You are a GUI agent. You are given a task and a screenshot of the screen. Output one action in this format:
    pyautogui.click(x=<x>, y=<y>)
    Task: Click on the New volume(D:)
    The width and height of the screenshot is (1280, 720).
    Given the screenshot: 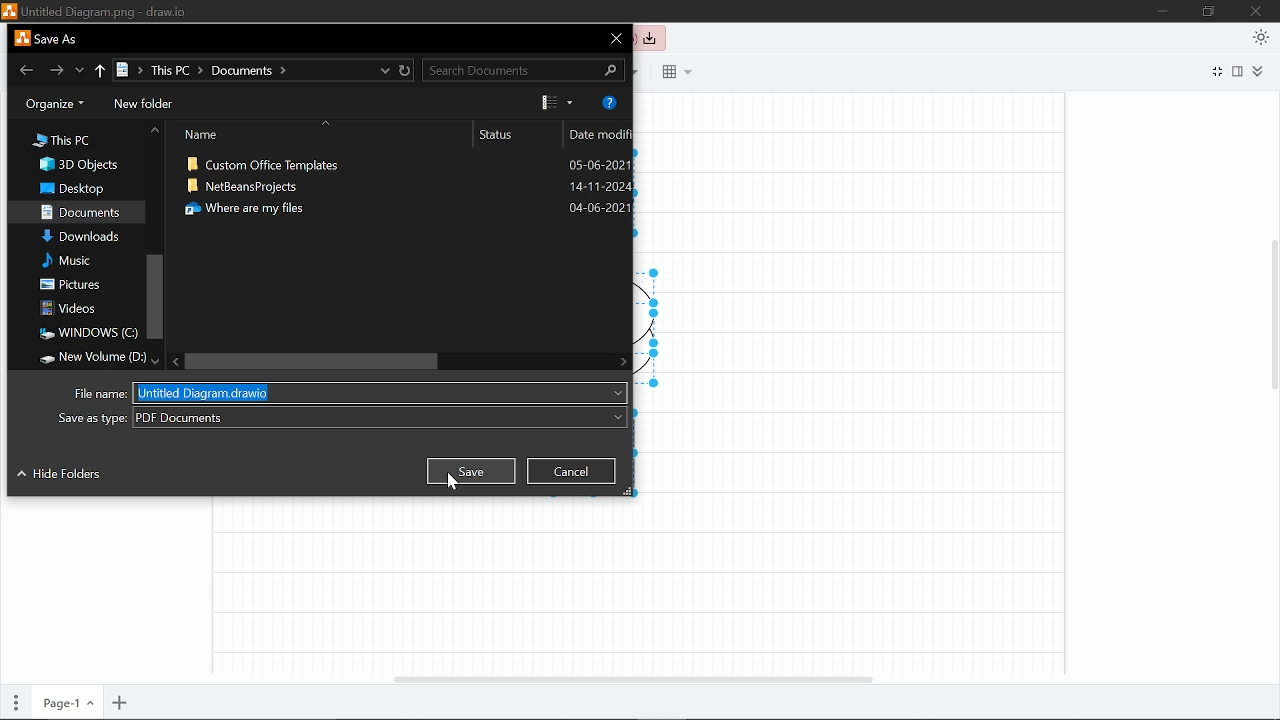 What is the action you would take?
    pyautogui.click(x=90, y=356)
    